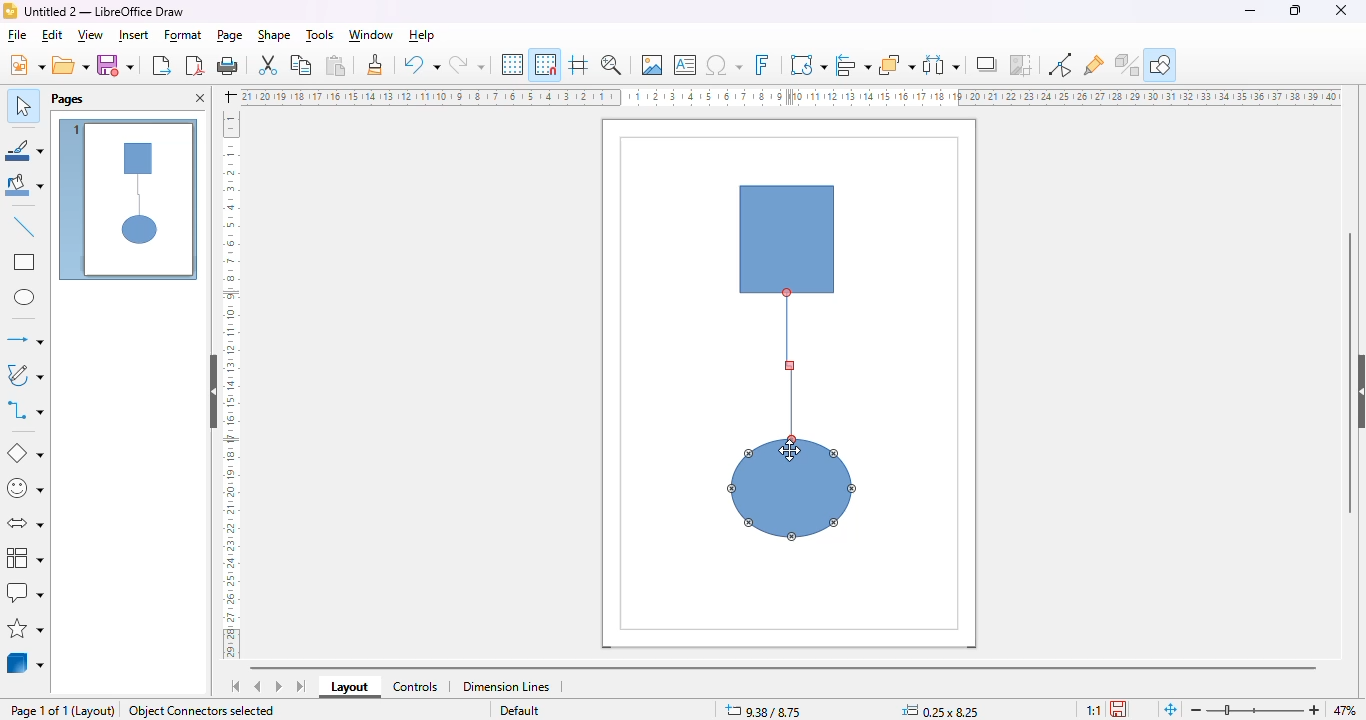 The width and height of the screenshot is (1366, 720). What do you see at coordinates (787, 665) in the screenshot?
I see `horizontal scroll bar` at bounding box center [787, 665].